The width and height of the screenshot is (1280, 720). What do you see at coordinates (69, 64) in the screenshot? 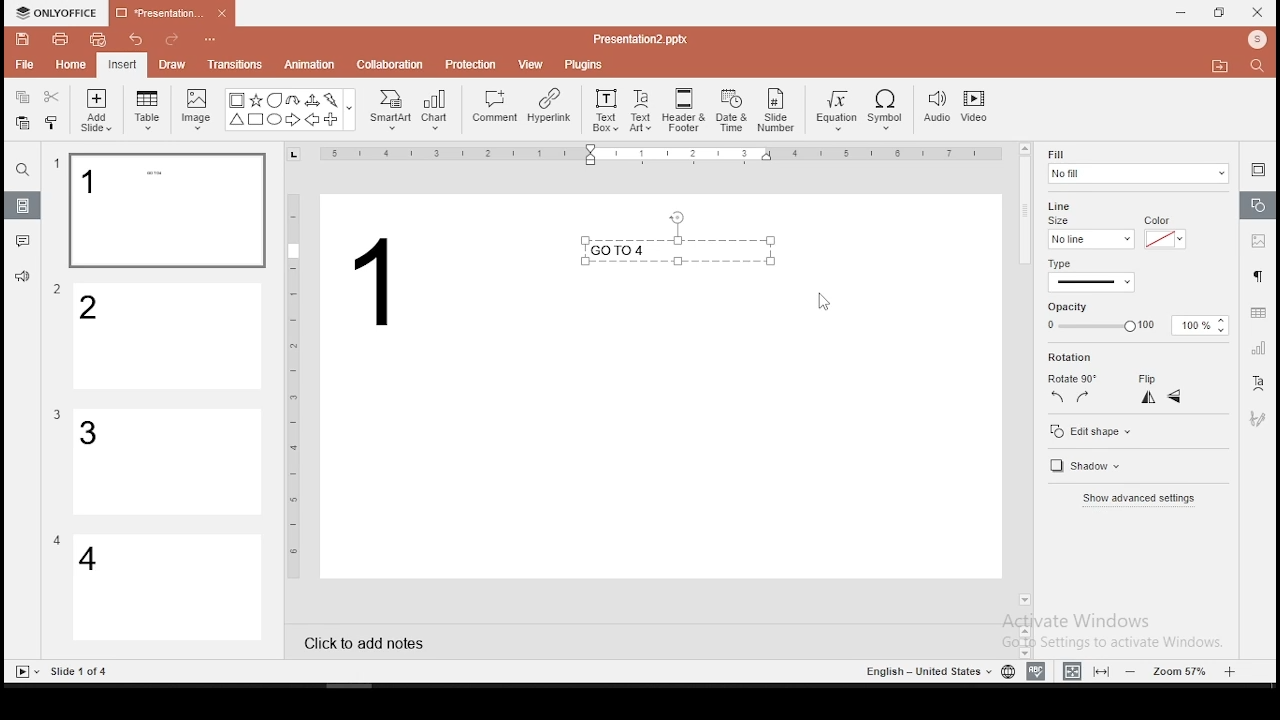
I see `home` at bounding box center [69, 64].